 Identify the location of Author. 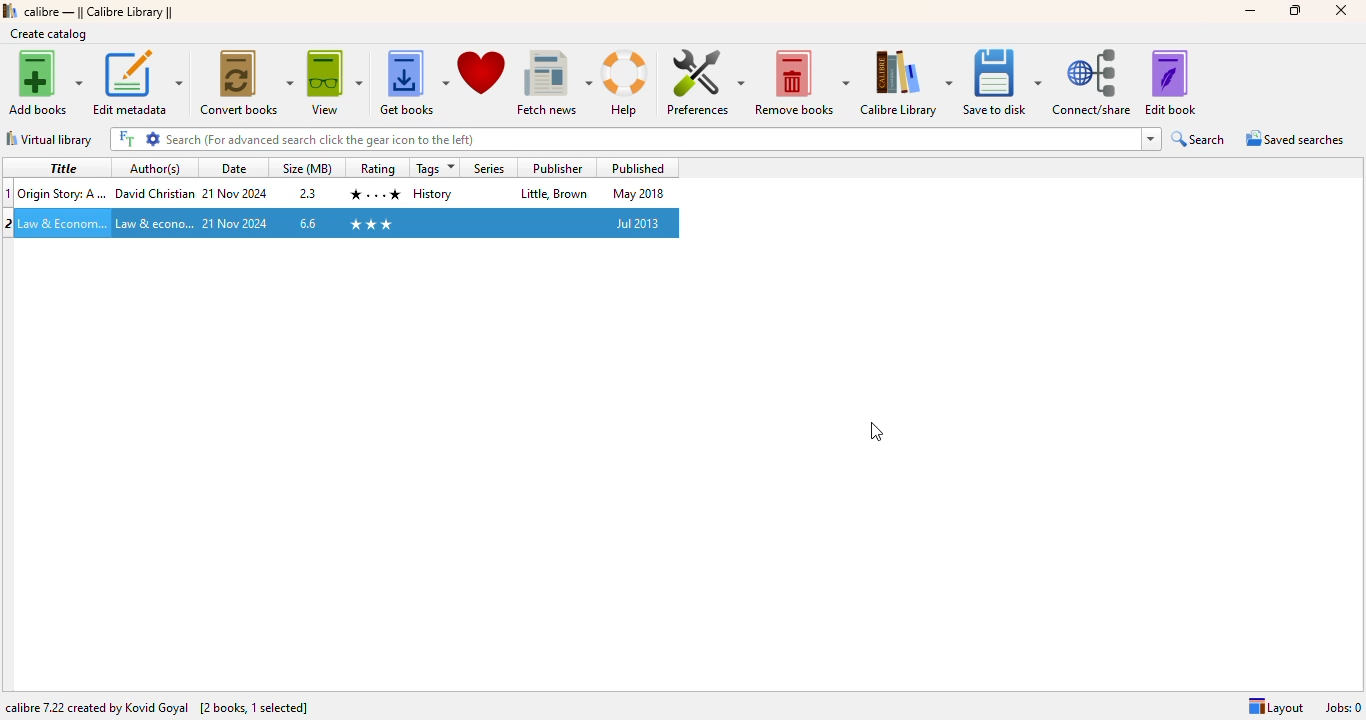
(154, 223).